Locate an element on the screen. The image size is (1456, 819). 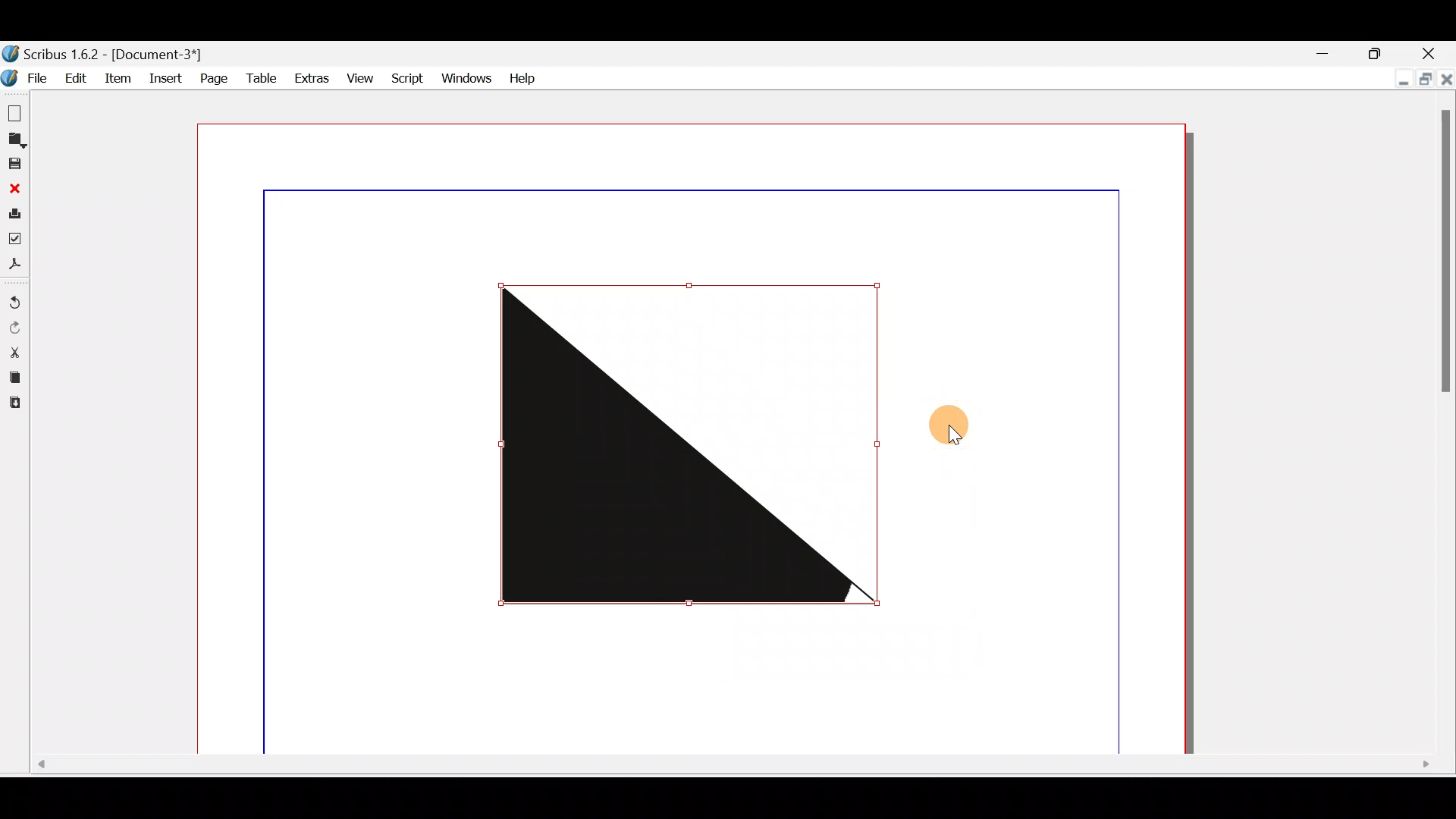
Print is located at coordinates (14, 212).